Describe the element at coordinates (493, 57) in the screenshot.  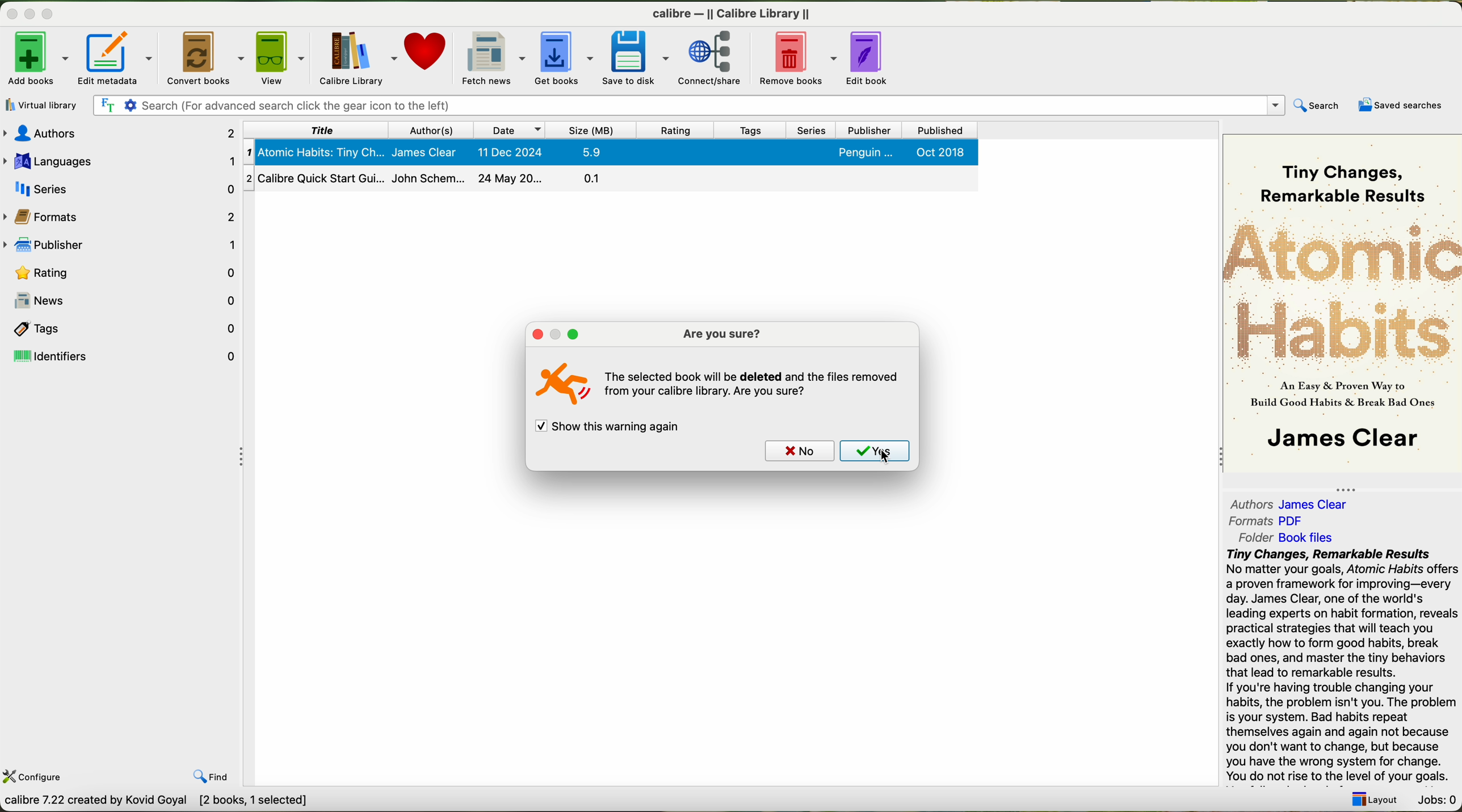
I see `fletch news` at that location.